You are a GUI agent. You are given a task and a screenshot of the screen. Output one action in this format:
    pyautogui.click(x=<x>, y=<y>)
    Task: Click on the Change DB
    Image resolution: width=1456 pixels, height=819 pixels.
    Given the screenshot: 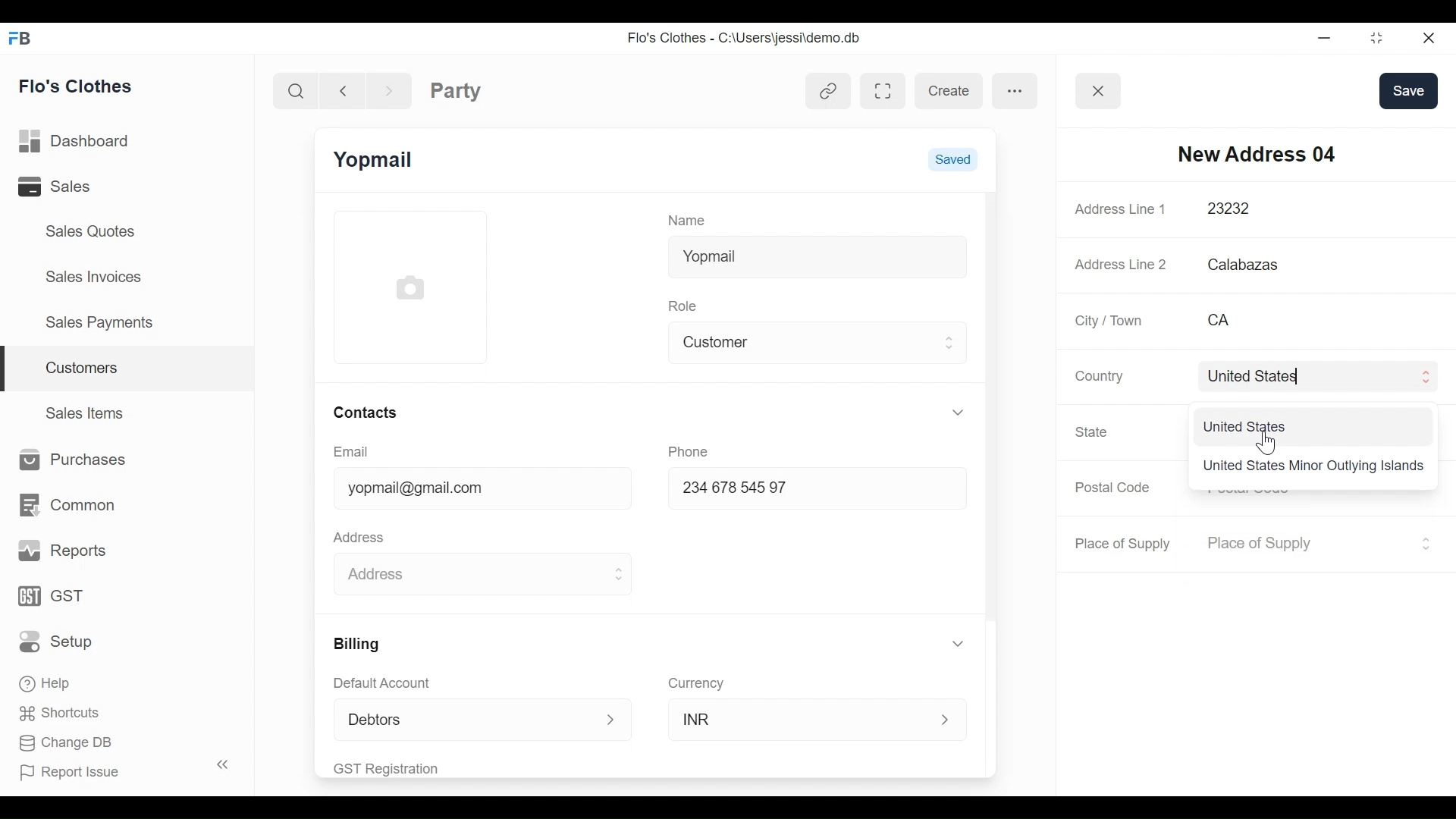 What is the action you would take?
    pyautogui.click(x=67, y=745)
    